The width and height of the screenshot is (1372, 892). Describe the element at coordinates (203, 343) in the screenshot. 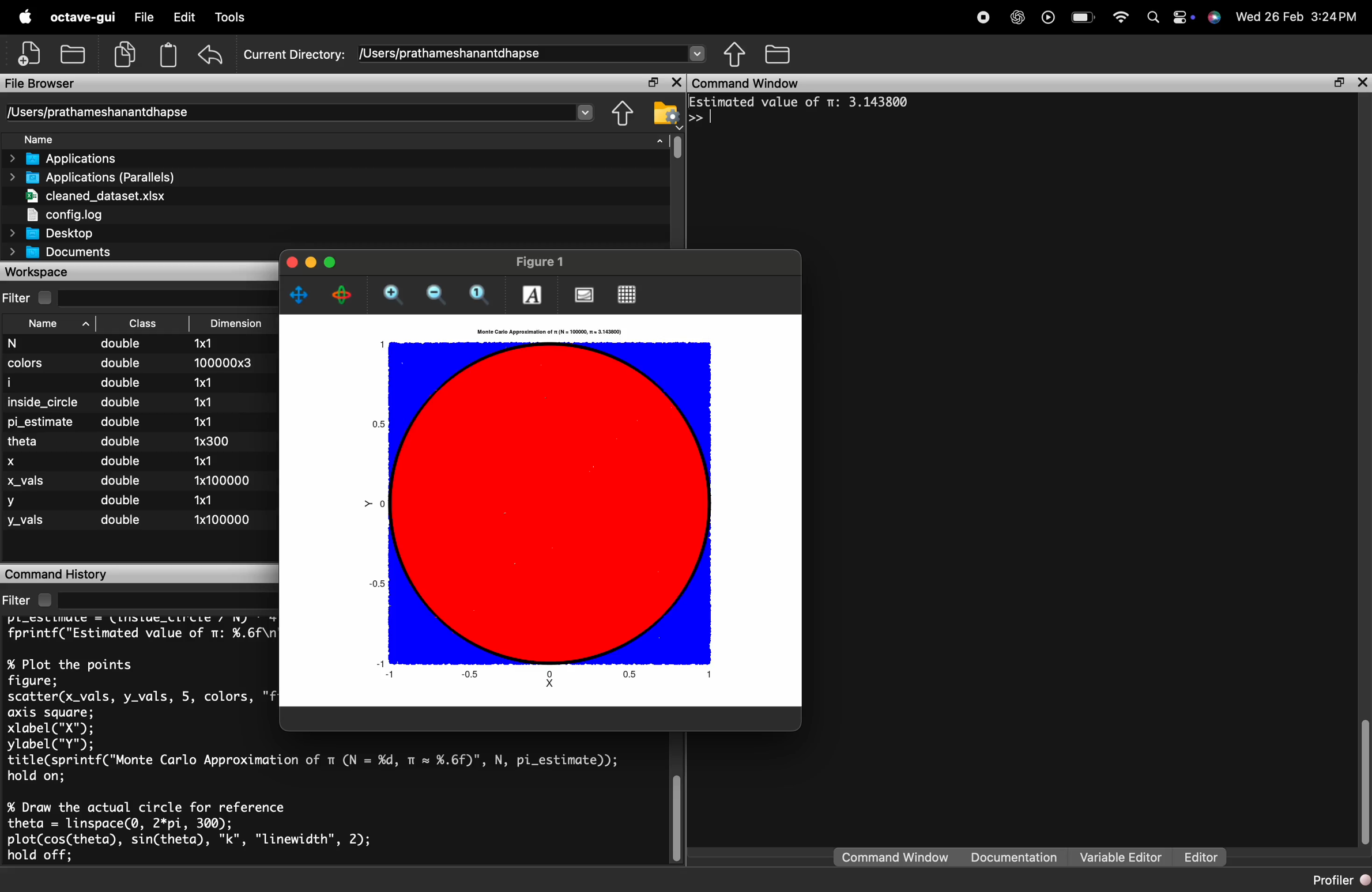

I see `1x1` at that location.